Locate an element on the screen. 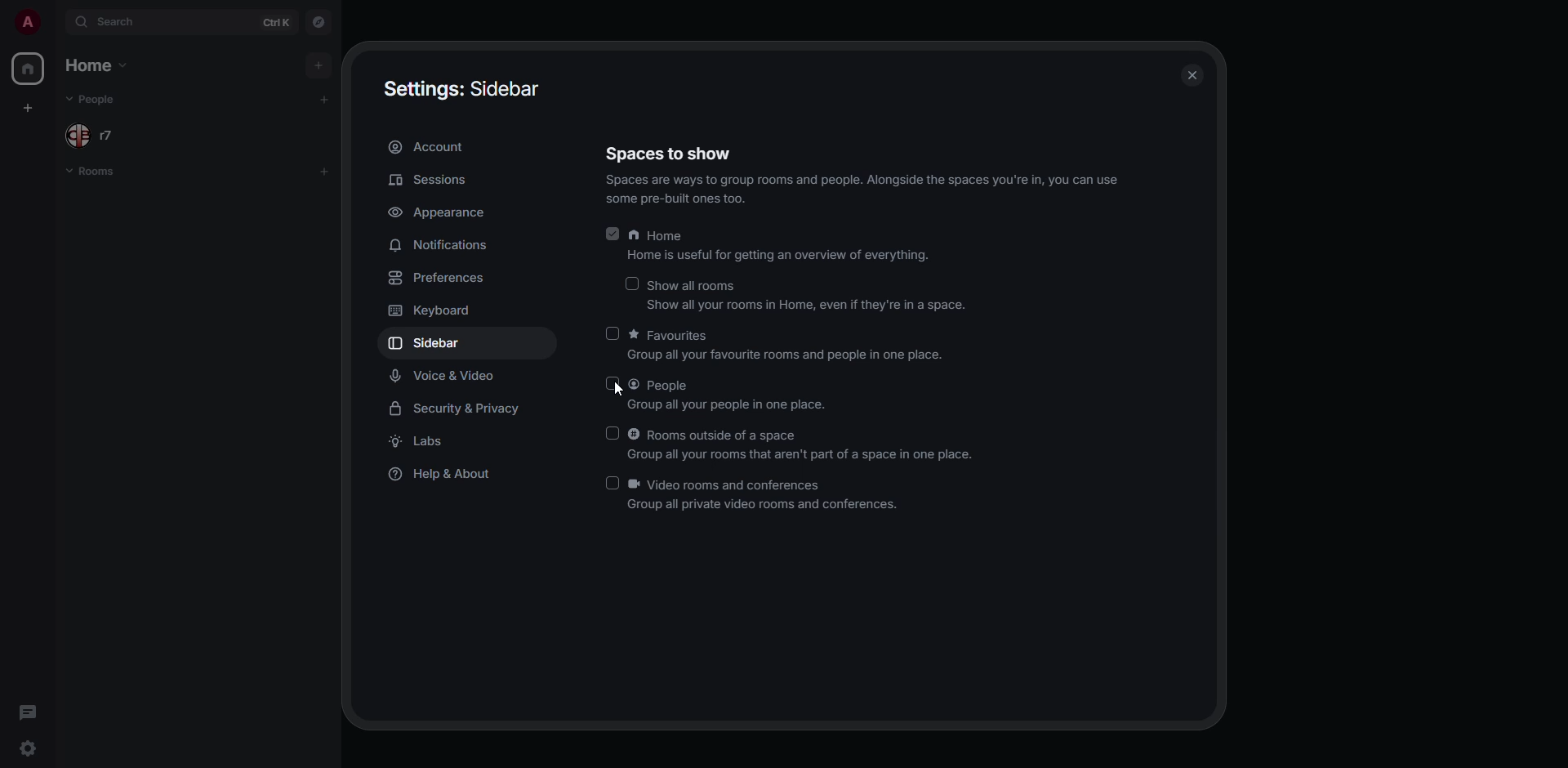  sessions is located at coordinates (423, 180).